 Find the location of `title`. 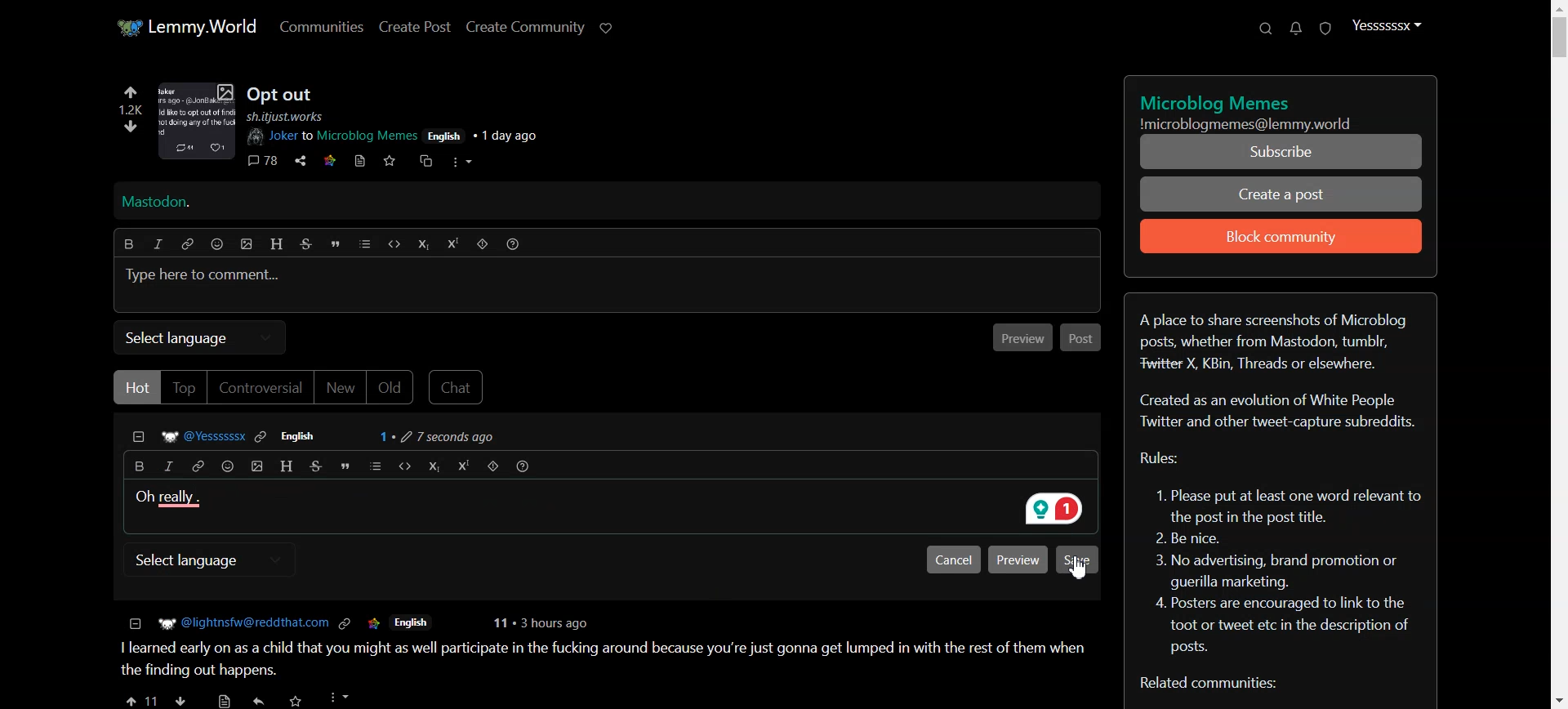

title is located at coordinates (1213, 102).